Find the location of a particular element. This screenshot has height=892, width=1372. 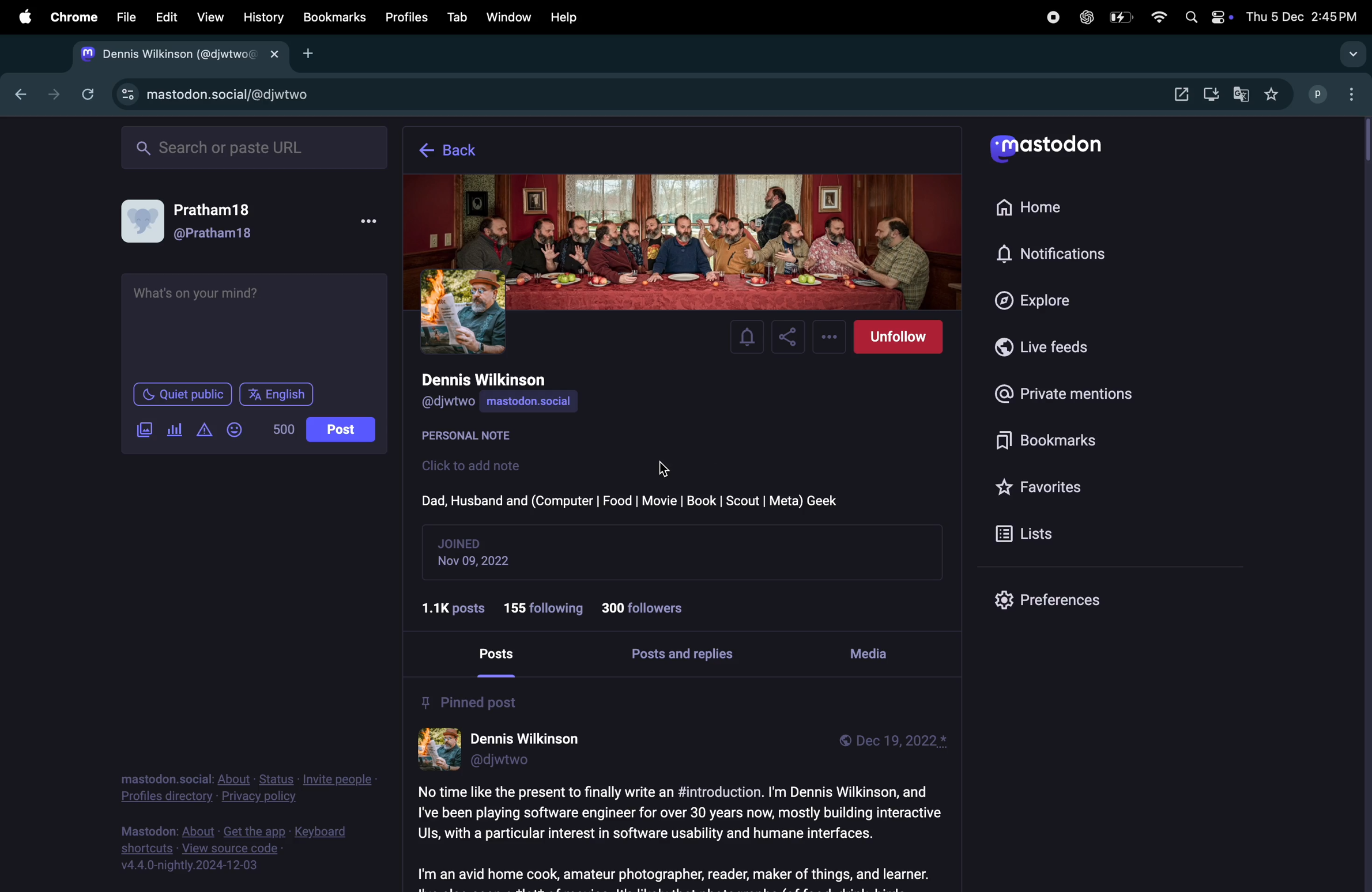

chatgpt is located at coordinates (1086, 18).